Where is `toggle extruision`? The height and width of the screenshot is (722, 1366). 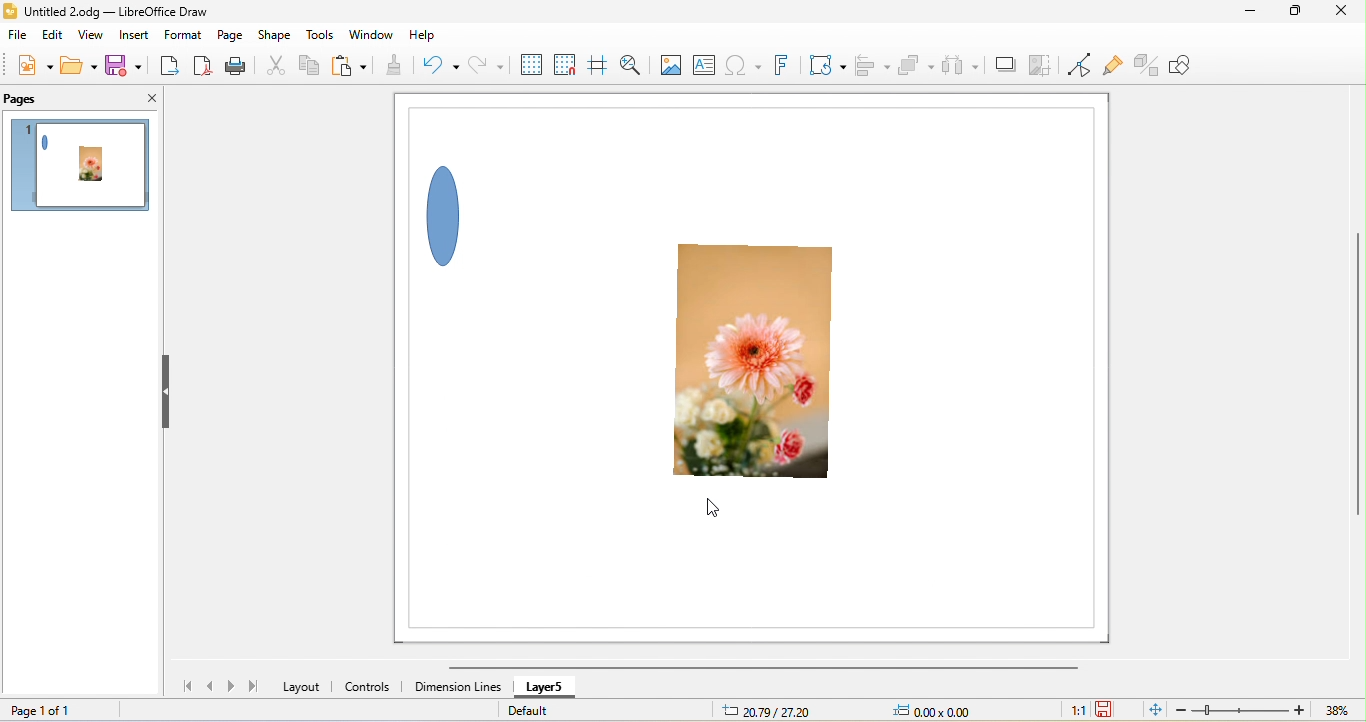 toggle extruision is located at coordinates (1136, 65).